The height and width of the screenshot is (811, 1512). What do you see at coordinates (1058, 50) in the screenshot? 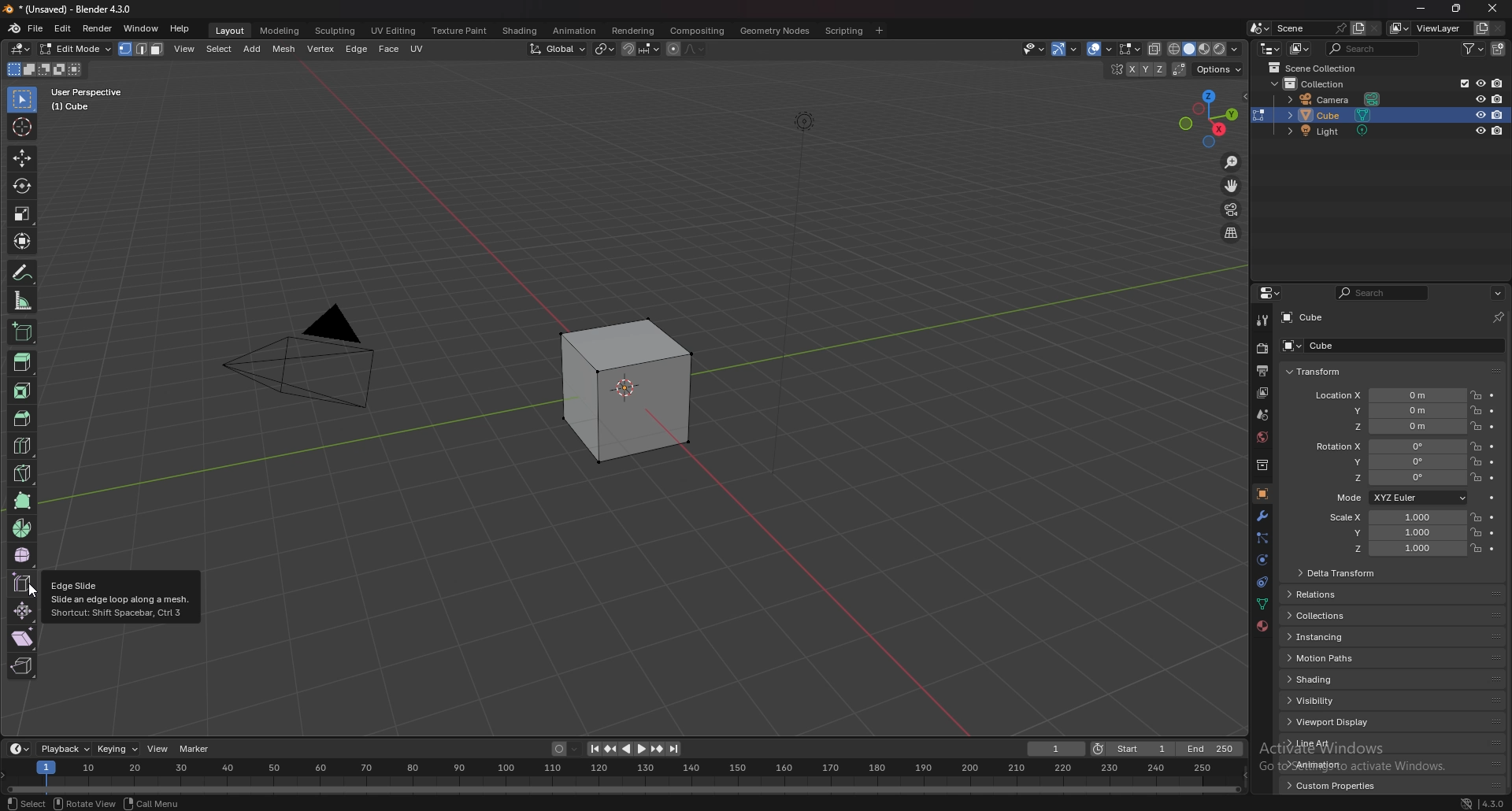
I see `selectibility and visibility` at bounding box center [1058, 50].